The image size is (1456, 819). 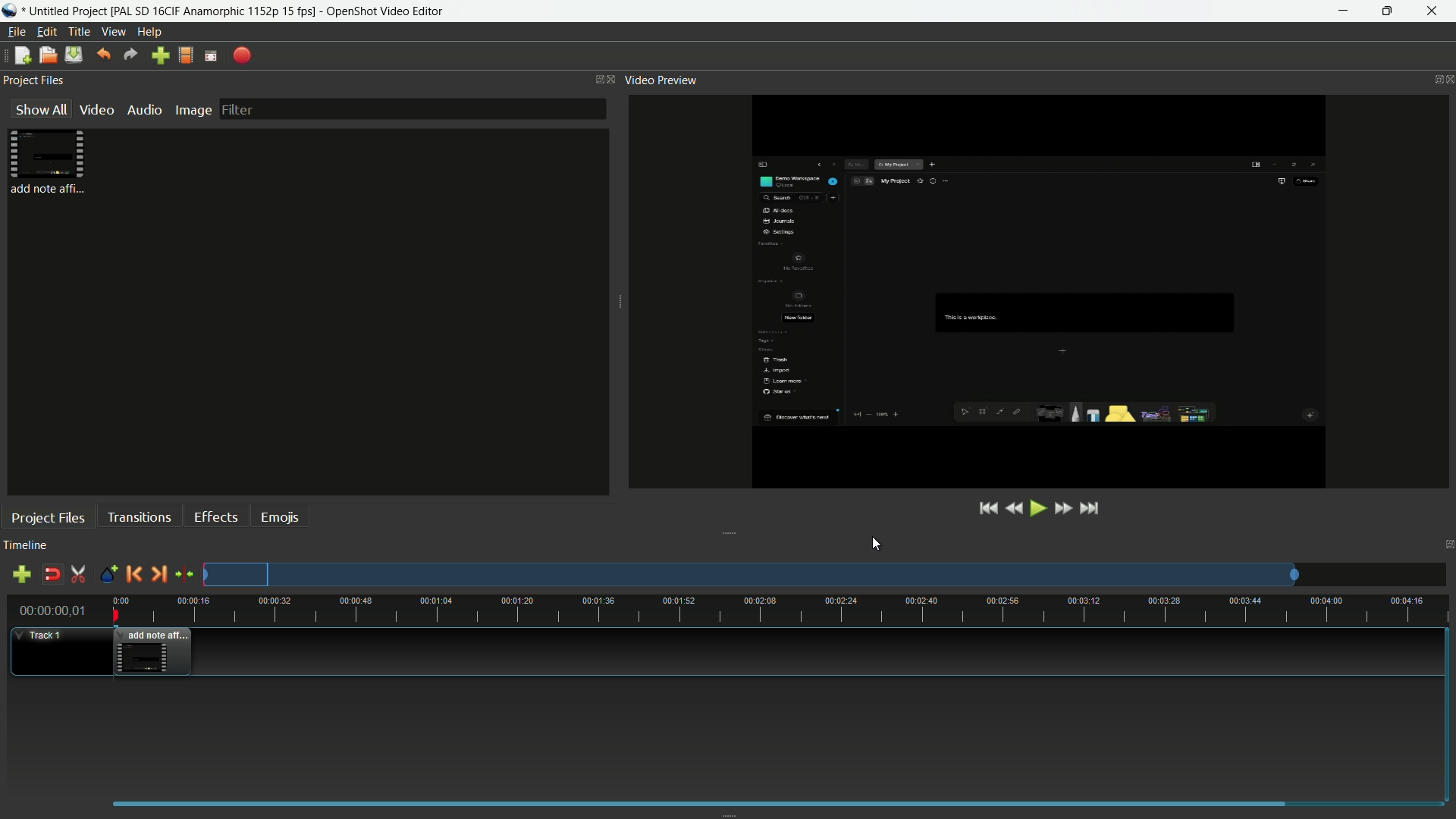 I want to click on video preview, so click(x=662, y=80).